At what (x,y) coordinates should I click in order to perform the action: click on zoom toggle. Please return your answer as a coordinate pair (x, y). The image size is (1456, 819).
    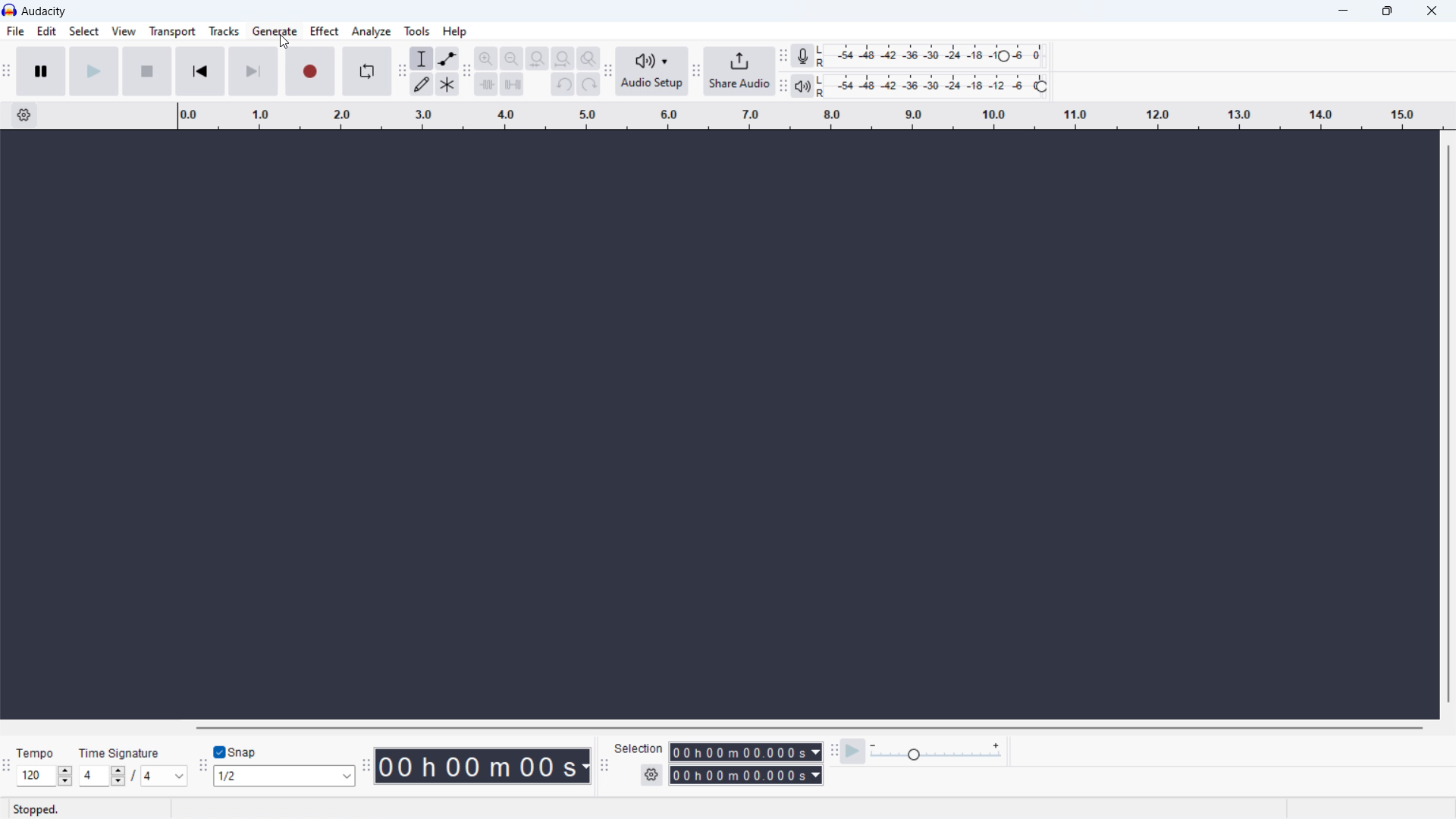
    Looking at the image, I should click on (588, 58).